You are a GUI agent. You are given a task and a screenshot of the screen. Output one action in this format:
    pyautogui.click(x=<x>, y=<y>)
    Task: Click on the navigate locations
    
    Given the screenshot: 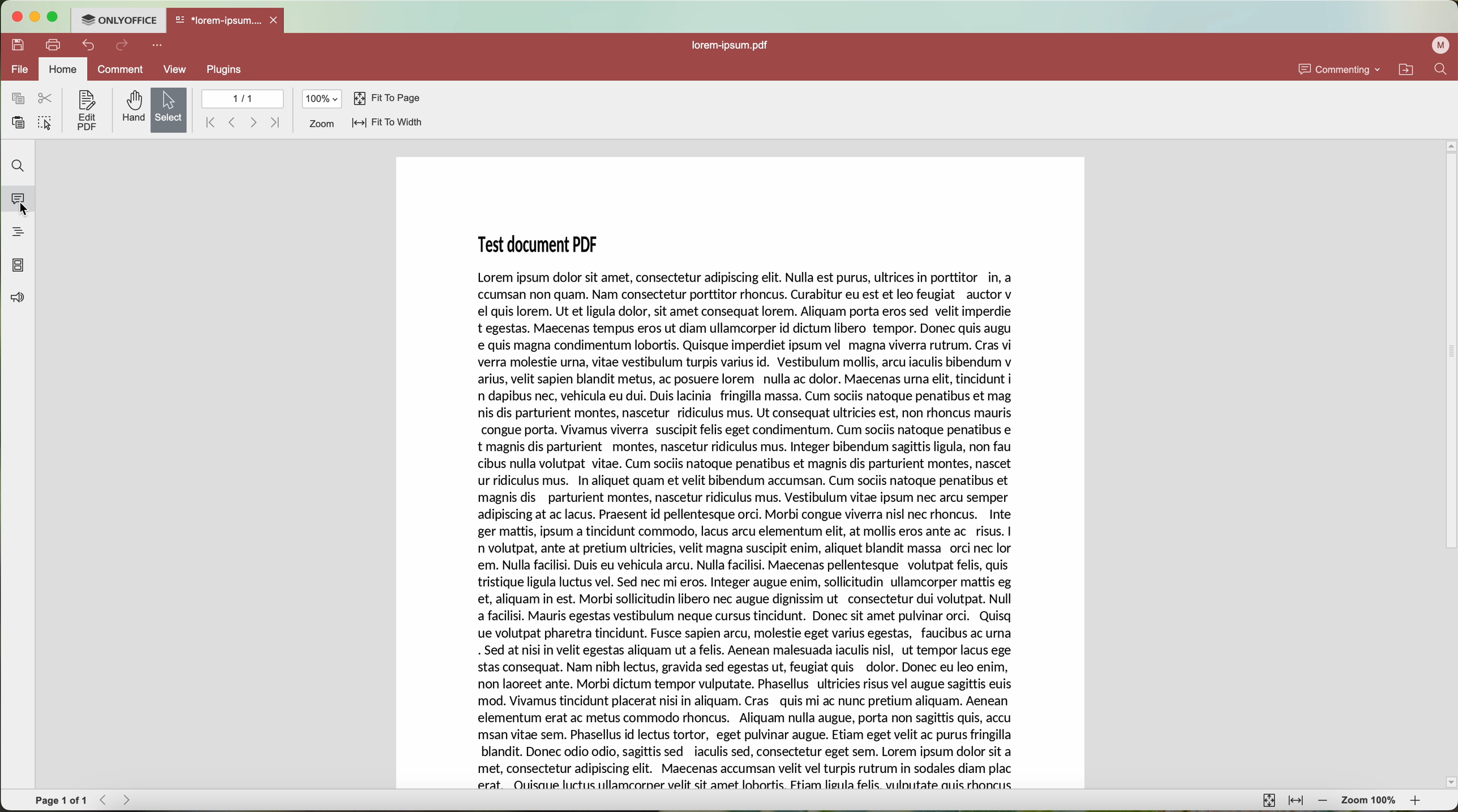 What is the action you would take?
    pyautogui.click(x=1410, y=69)
    